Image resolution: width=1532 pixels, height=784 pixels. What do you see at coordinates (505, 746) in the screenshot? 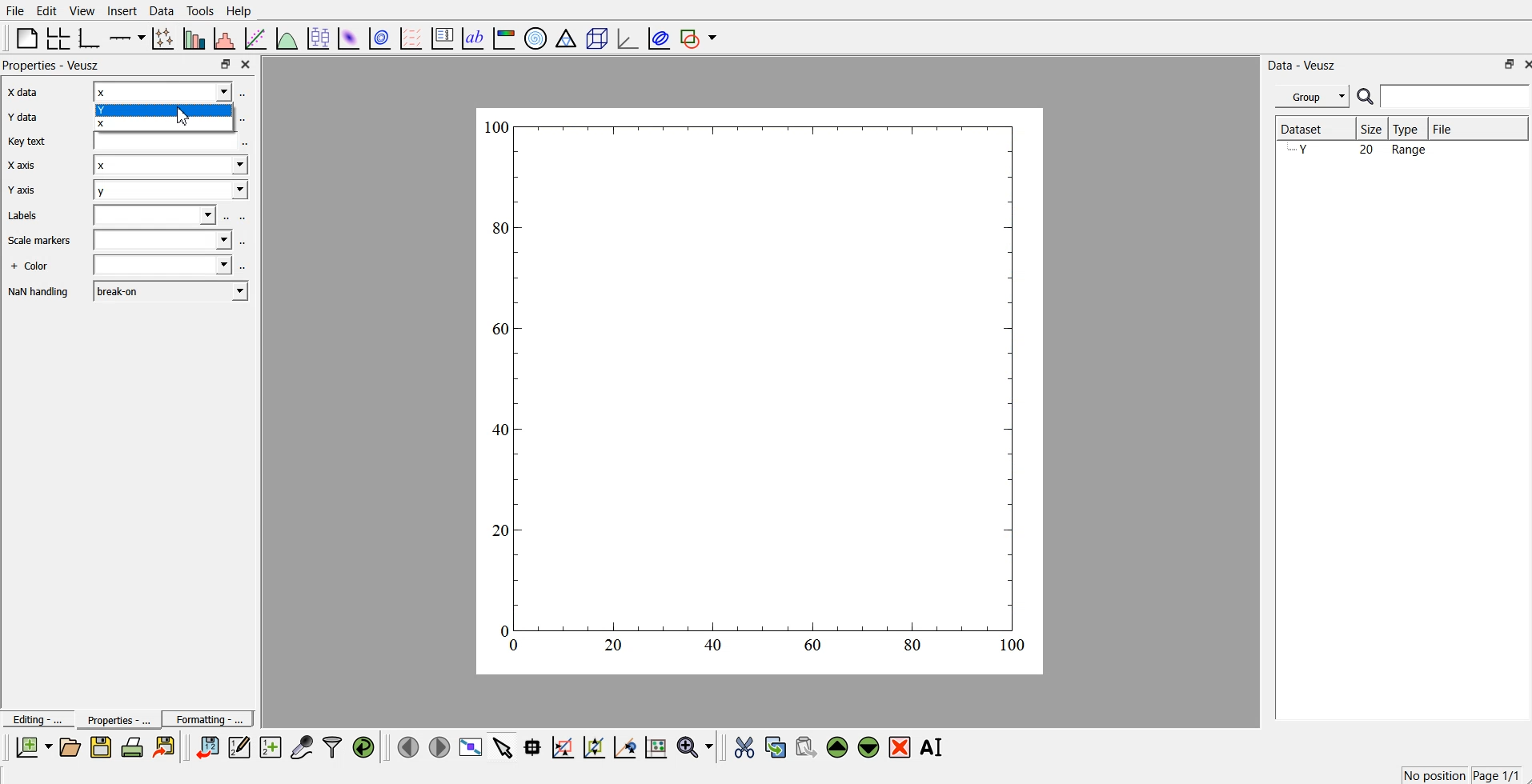
I see `select items from the graph` at bounding box center [505, 746].